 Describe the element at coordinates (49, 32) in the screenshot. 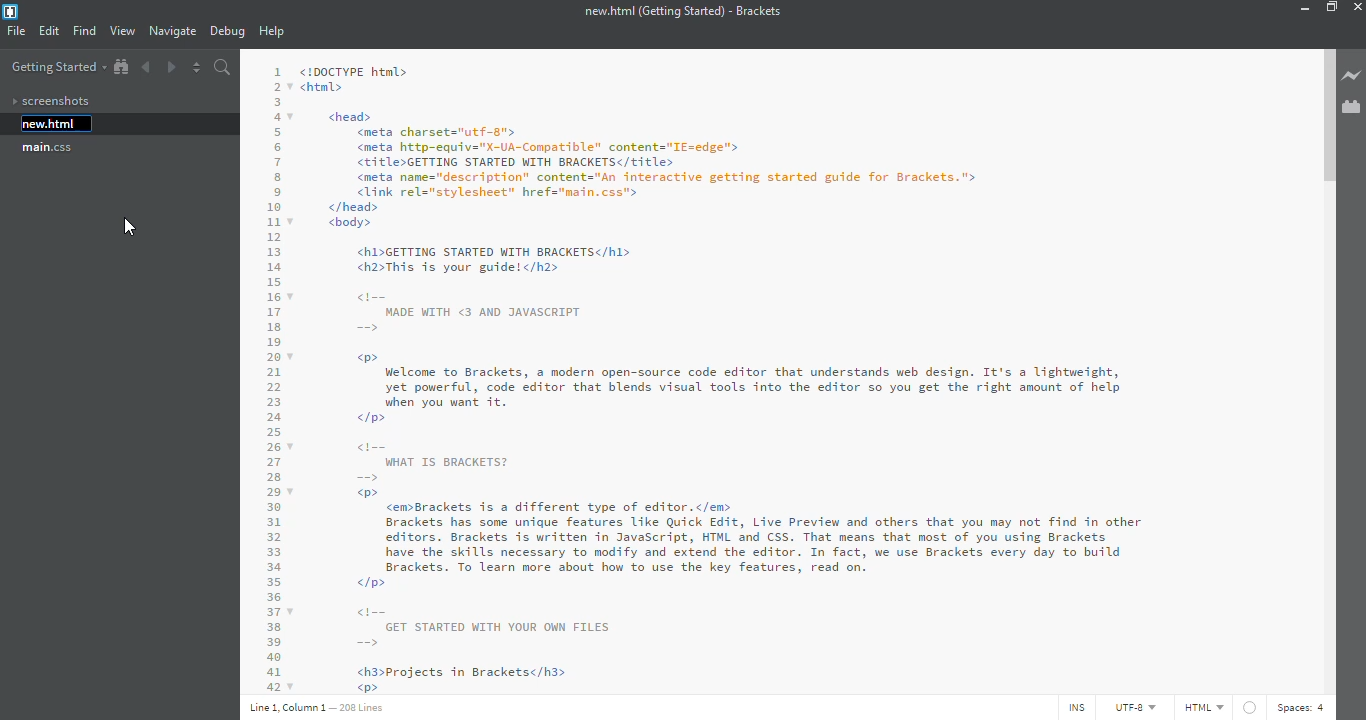

I see `edit` at that location.